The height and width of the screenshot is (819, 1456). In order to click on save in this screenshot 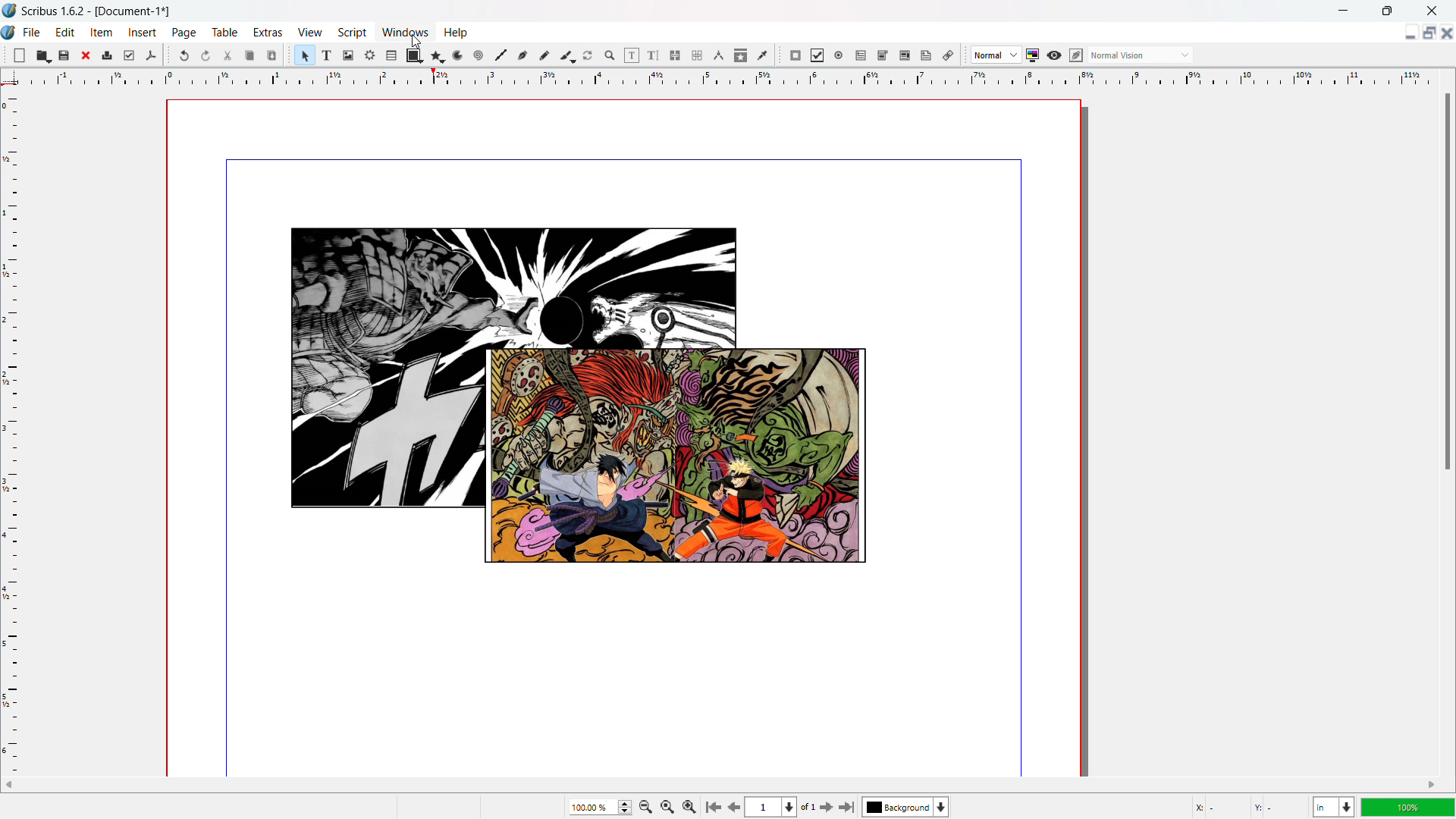, I will do `click(64, 56)`.